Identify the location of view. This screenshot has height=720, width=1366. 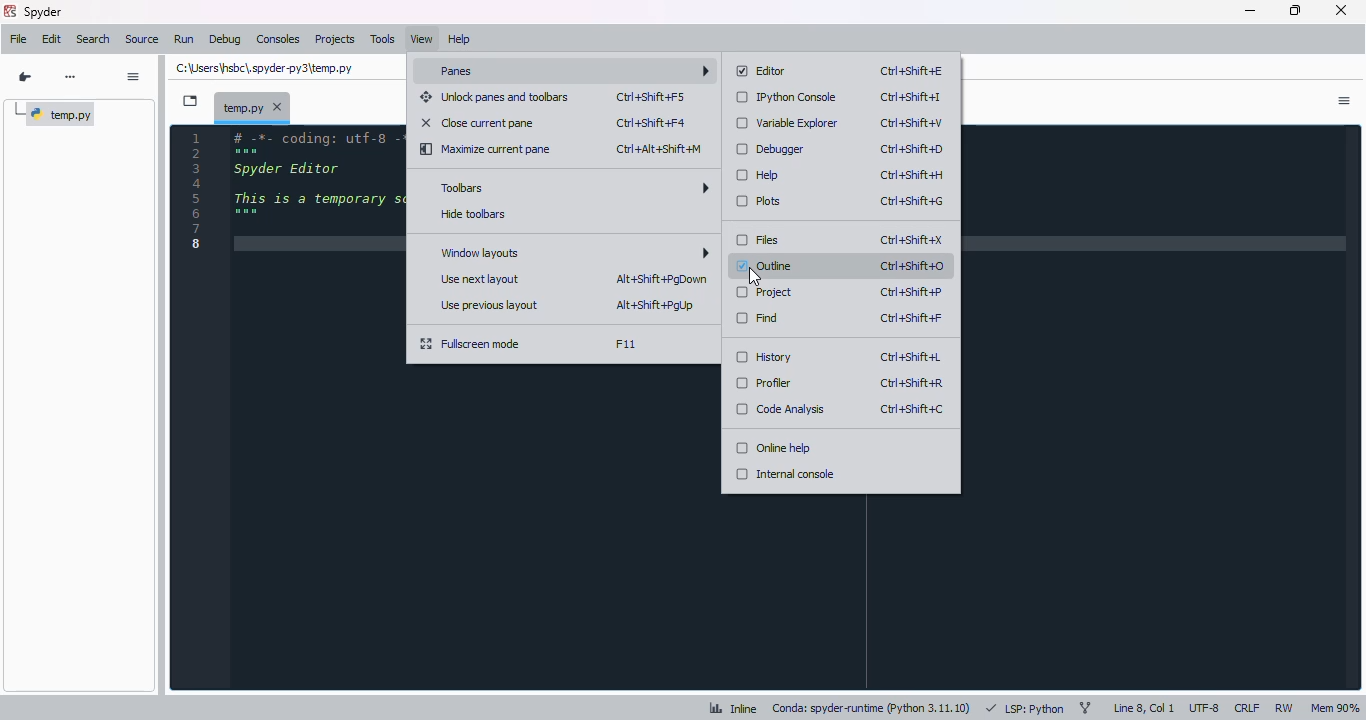
(422, 39).